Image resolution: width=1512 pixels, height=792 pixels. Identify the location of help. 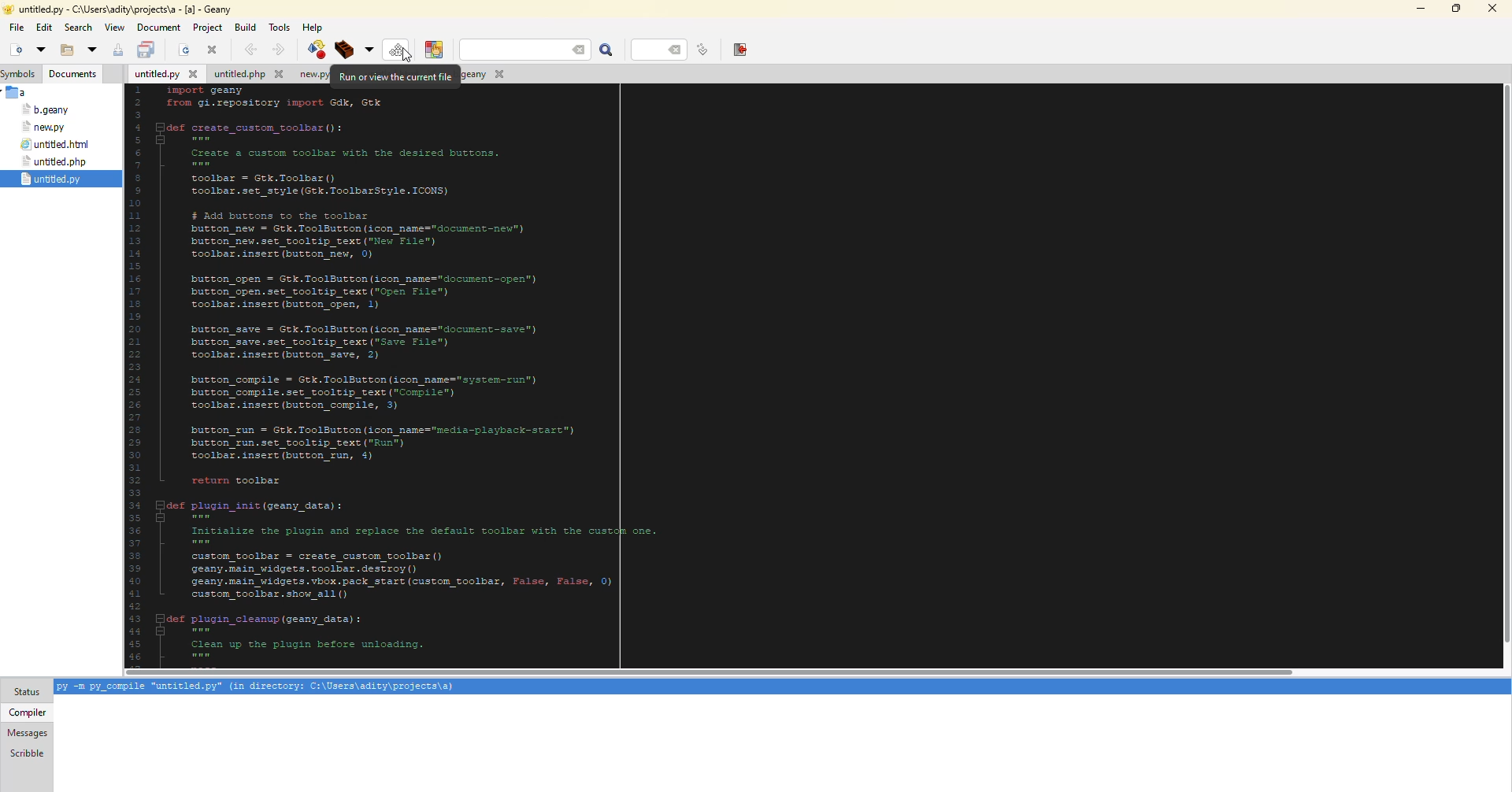
(313, 28).